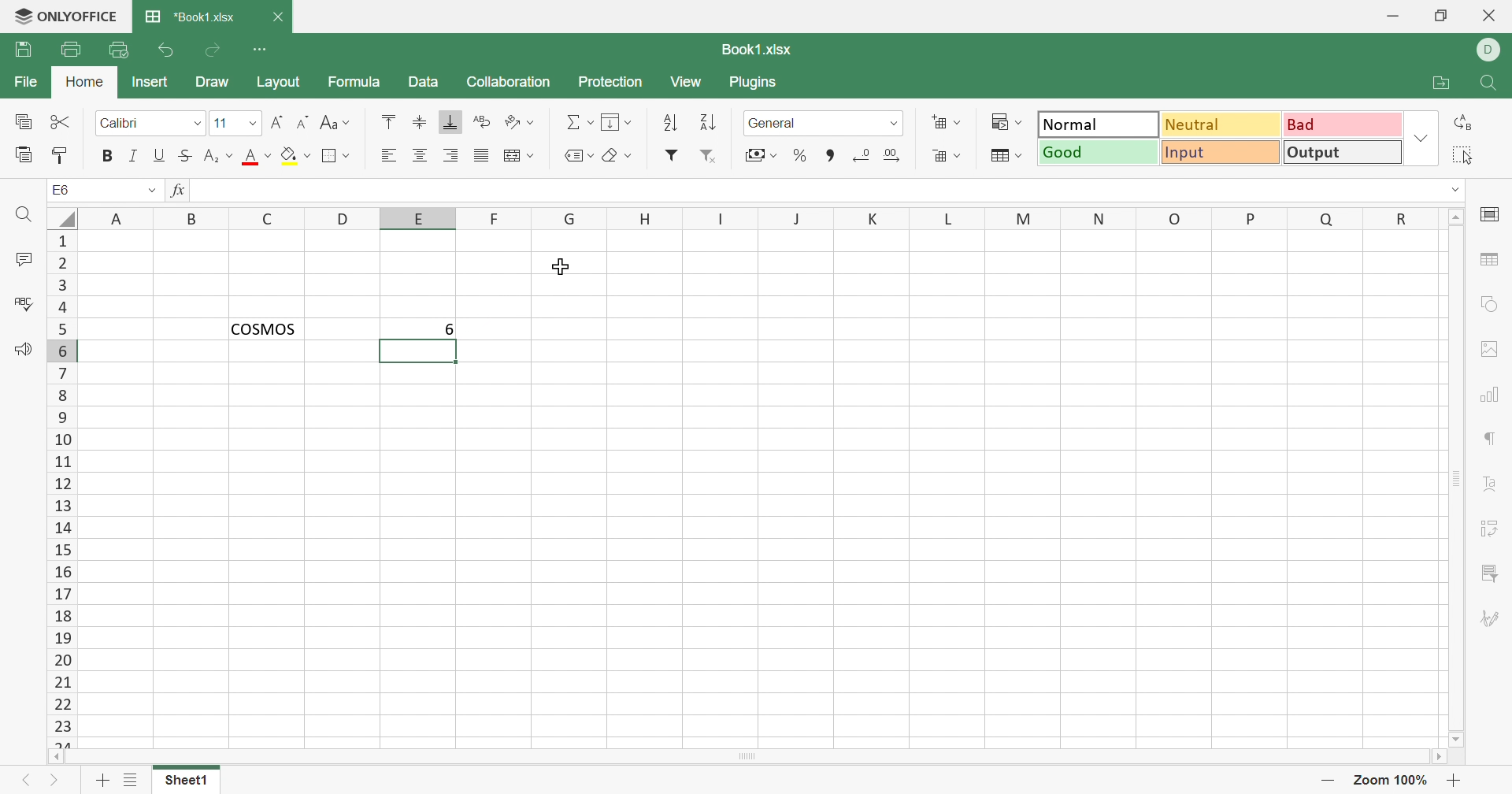 The height and width of the screenshot is (794, 1512). Describe the element at coordinates (712, 123) in the screenshot. I see `Sort descending` at that location.